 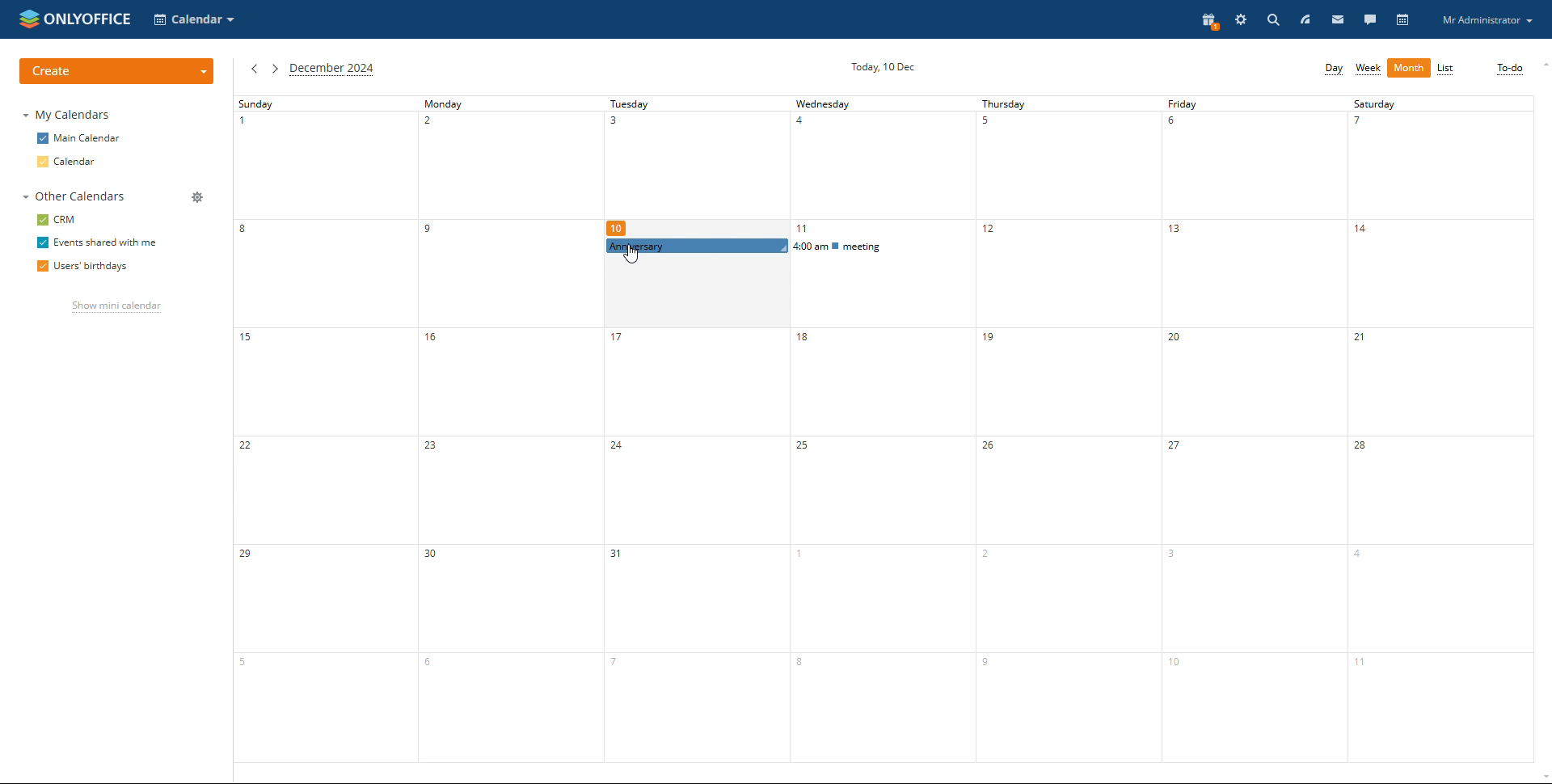 What do you see at coordinates (1442, 429) in the screenshot?
I see `saturday` at bounding box center [1442, 429].